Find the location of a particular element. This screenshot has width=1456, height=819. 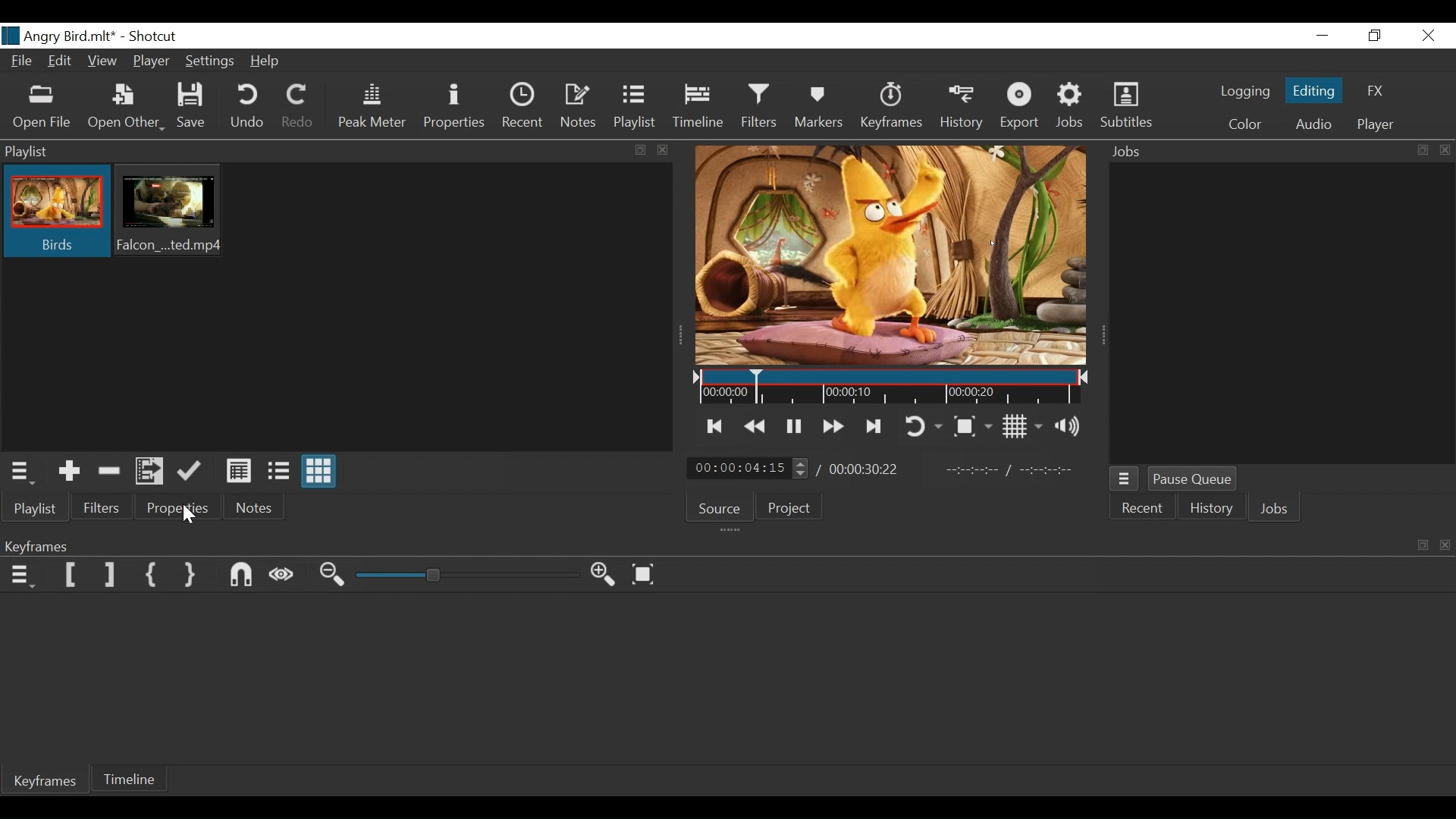

Zoom Keyframe out is located at coordinates (334, 576).